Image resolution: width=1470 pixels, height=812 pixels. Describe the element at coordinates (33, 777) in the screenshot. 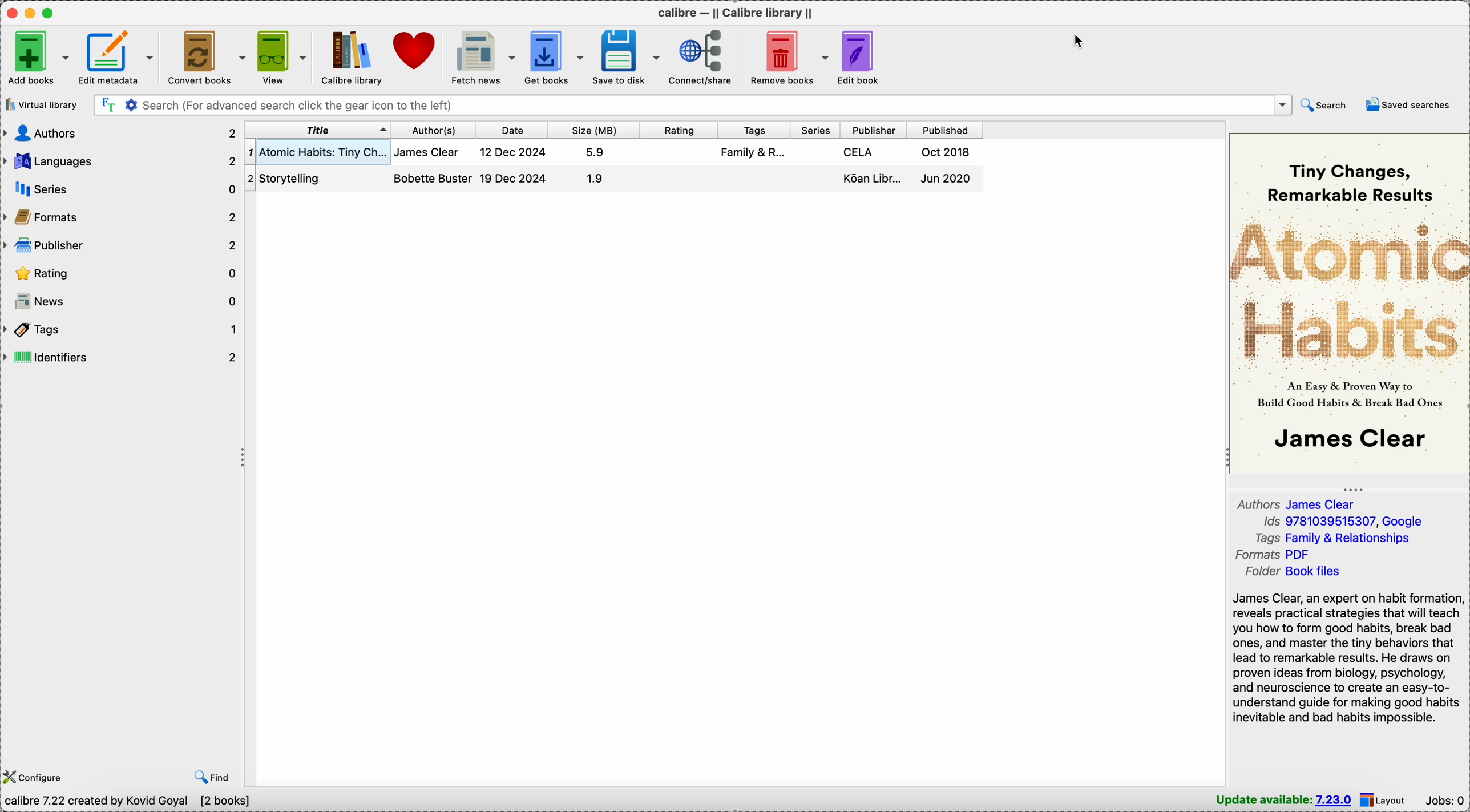

I see `configure` at that location.